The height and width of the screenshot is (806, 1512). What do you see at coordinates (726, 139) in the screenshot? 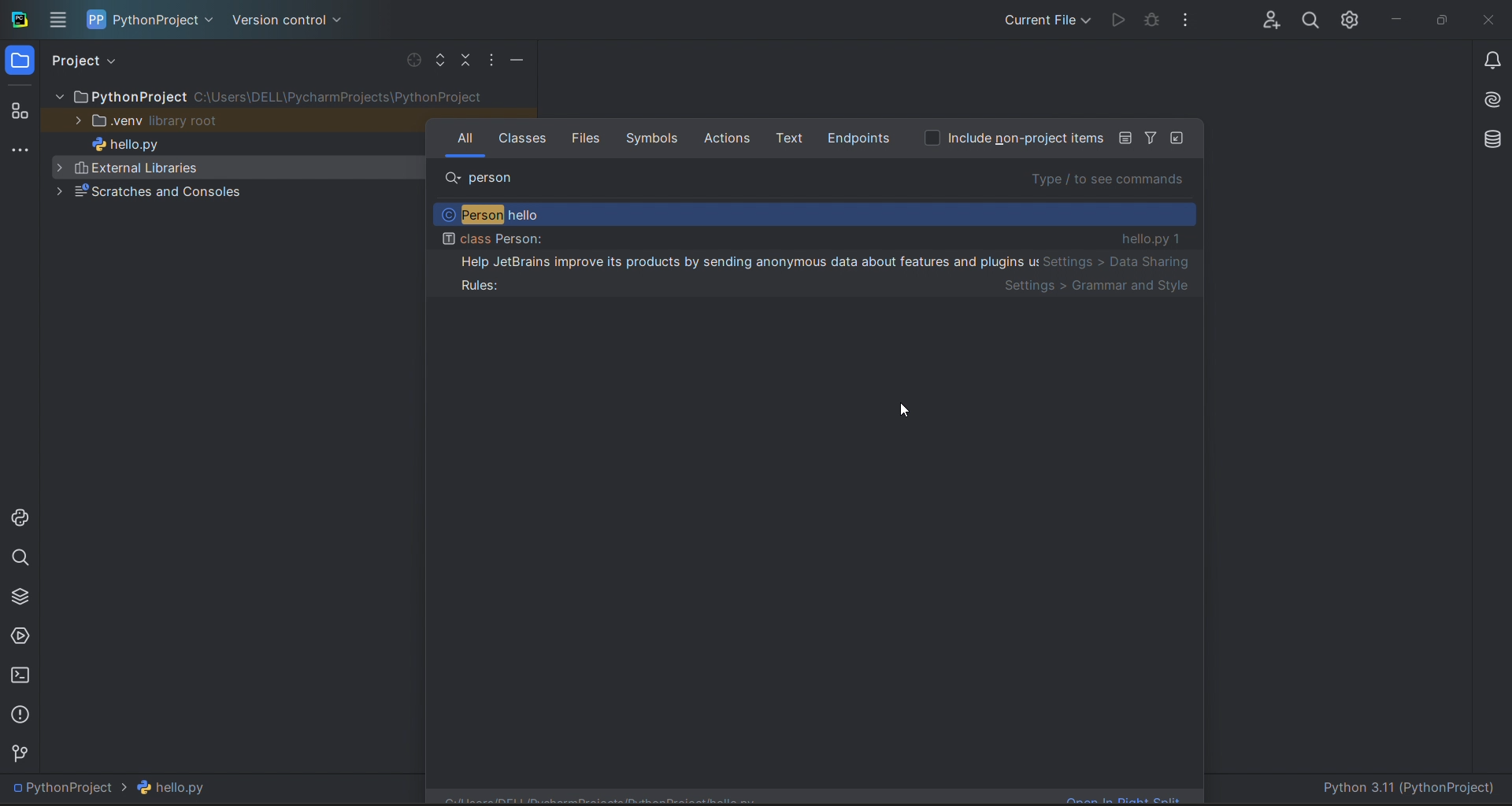
I see `actions` at bounding box center [726, 139].